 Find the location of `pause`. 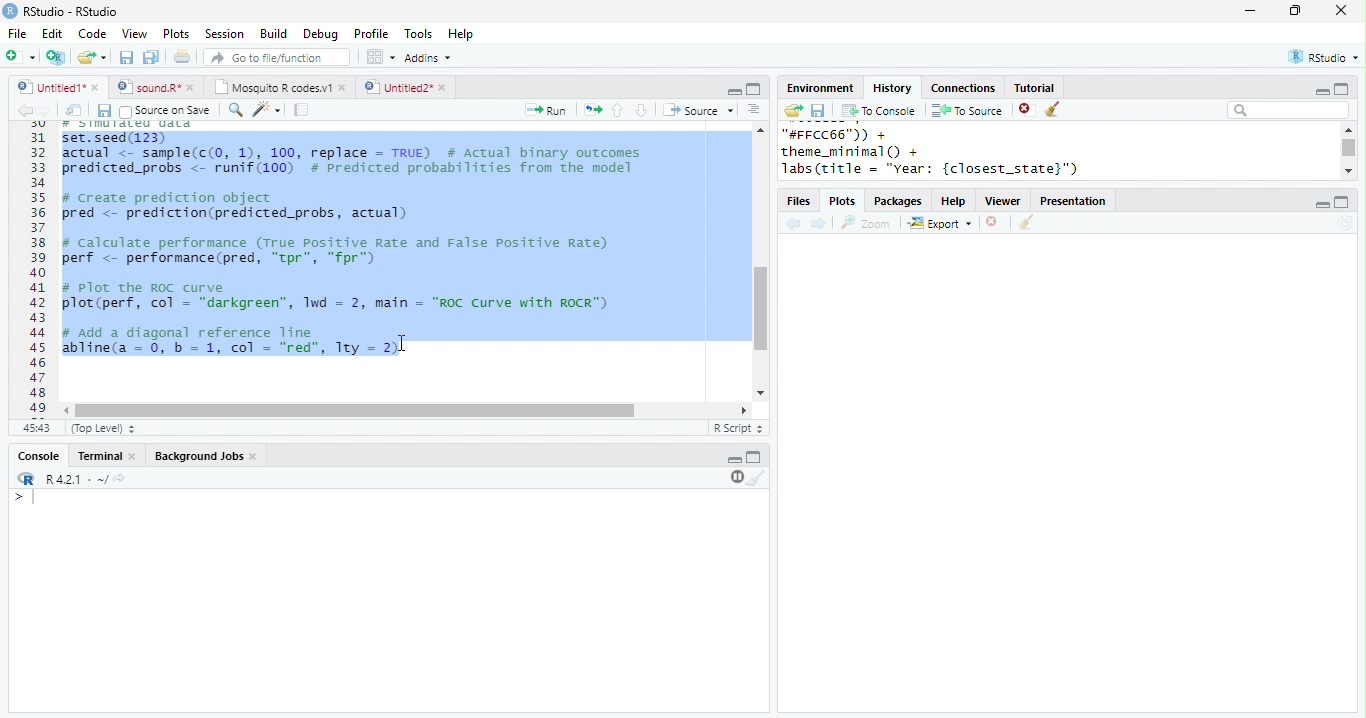

pause is located at coordinates (735, 477).